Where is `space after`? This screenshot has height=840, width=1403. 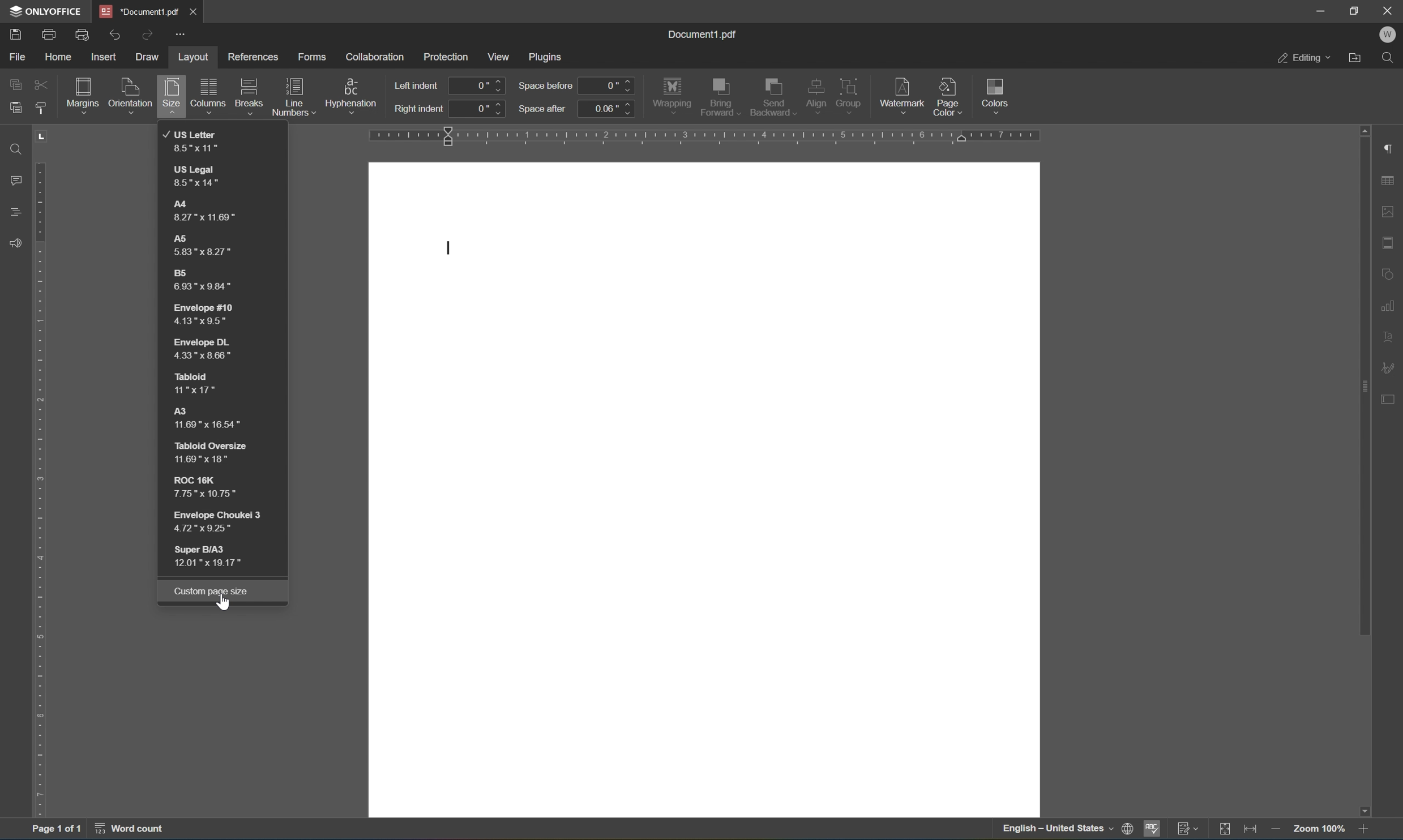
space after is located at coordinates (543, 108).